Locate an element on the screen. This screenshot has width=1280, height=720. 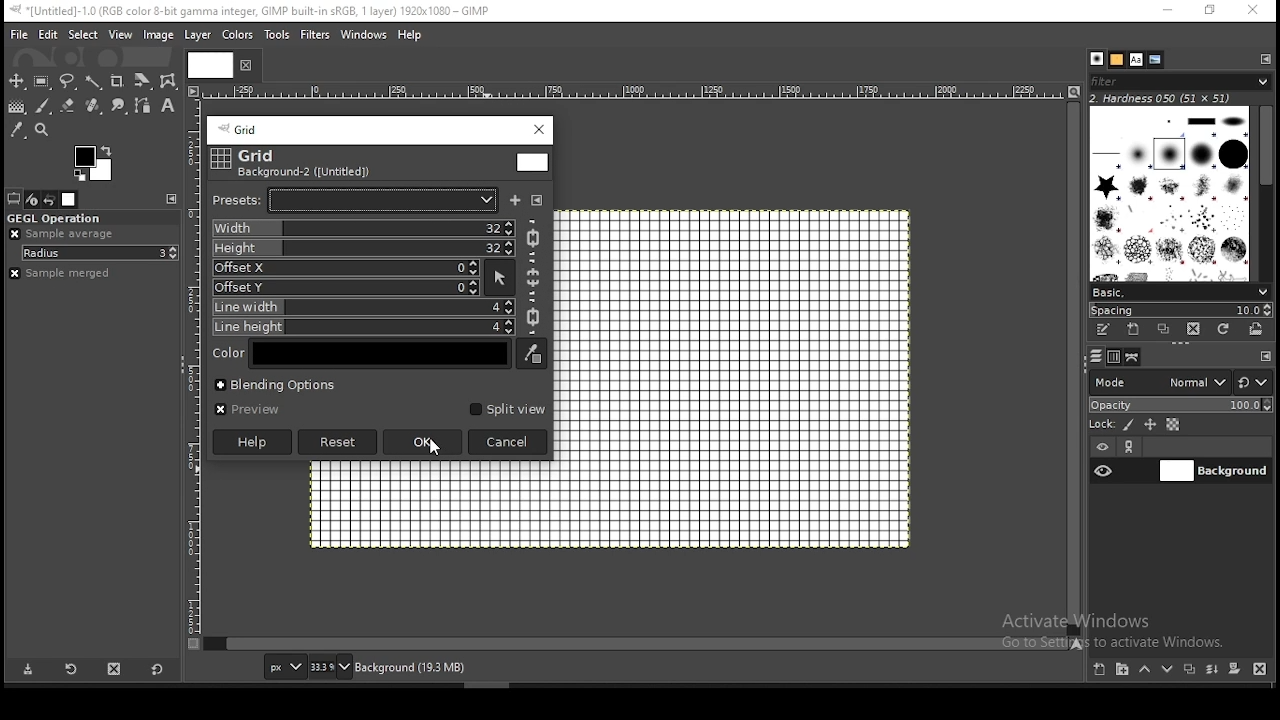
free selection tool is located at coordinates (68, 81).